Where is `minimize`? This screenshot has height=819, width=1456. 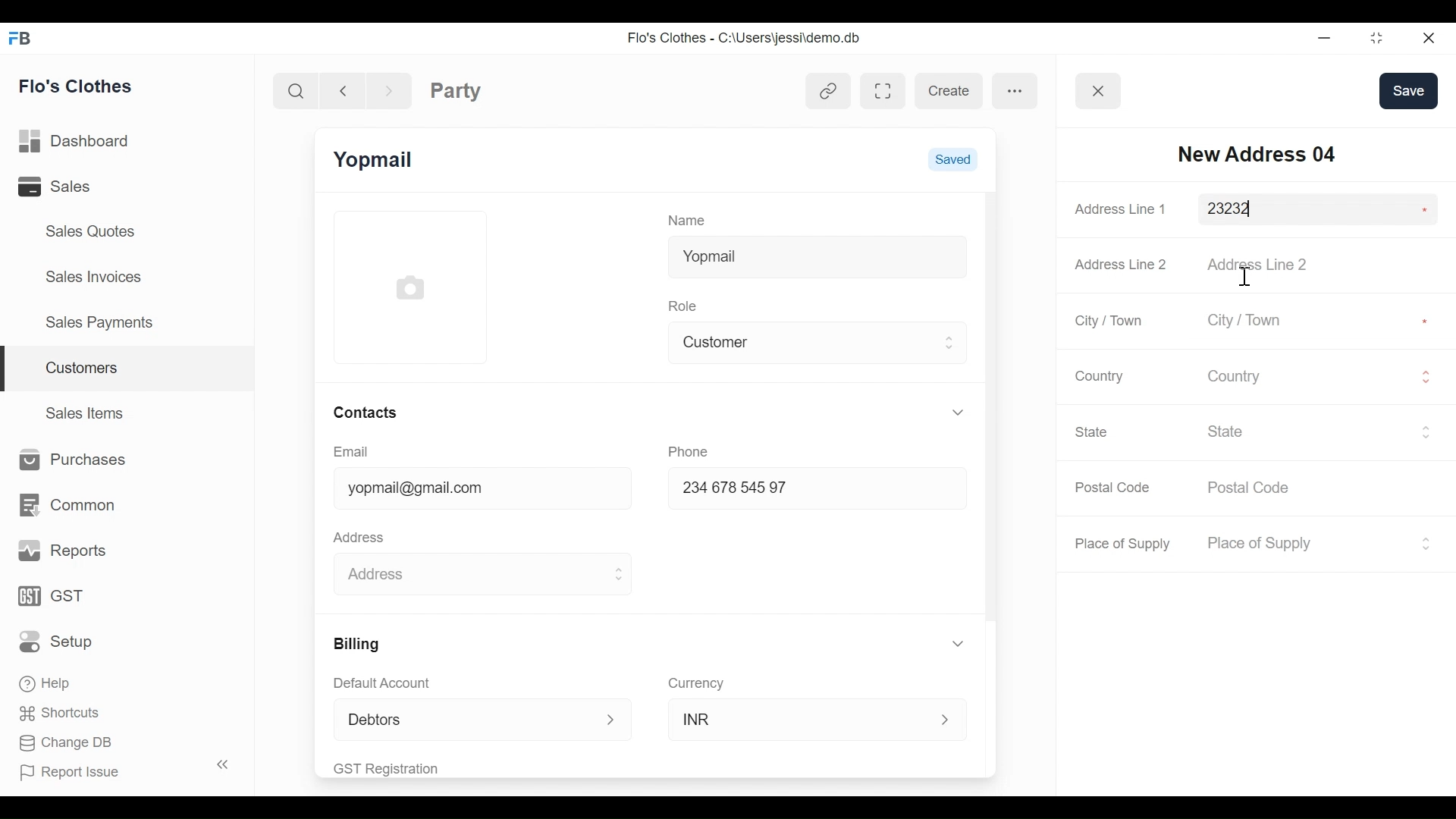 minimize is located at coordinates (1323, 37).